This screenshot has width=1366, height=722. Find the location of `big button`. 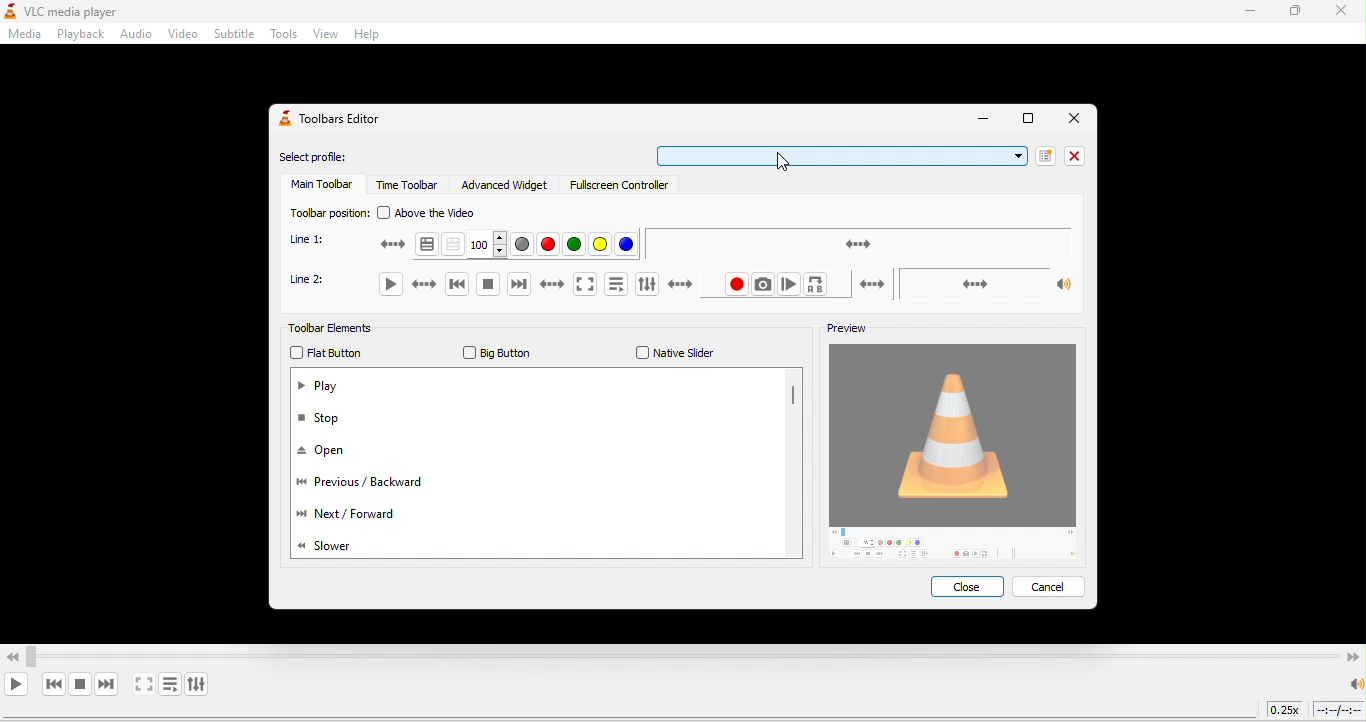

big button is located at coordinates (496, 353).